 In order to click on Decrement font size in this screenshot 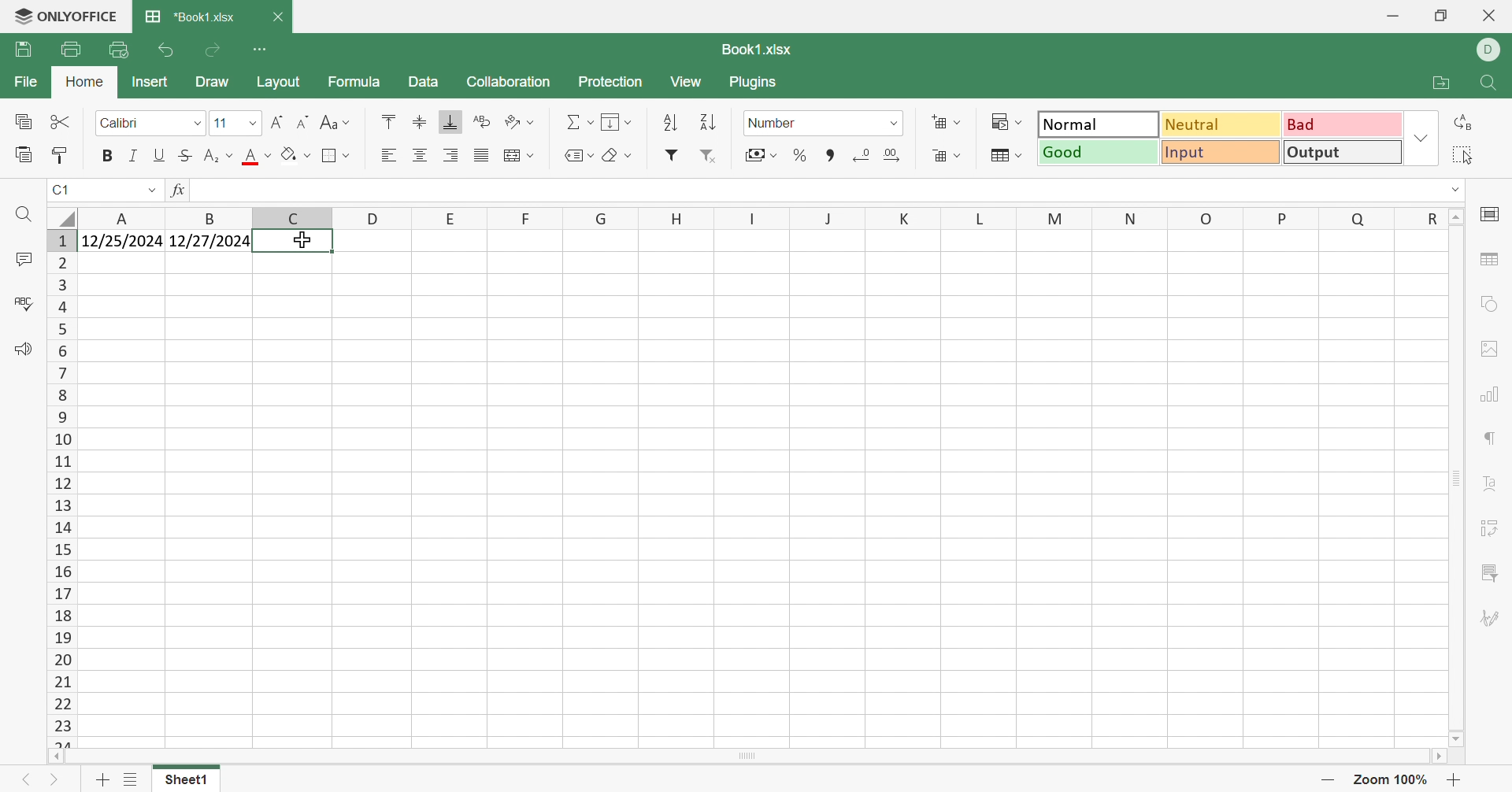, I will do `click(301, 124)`.